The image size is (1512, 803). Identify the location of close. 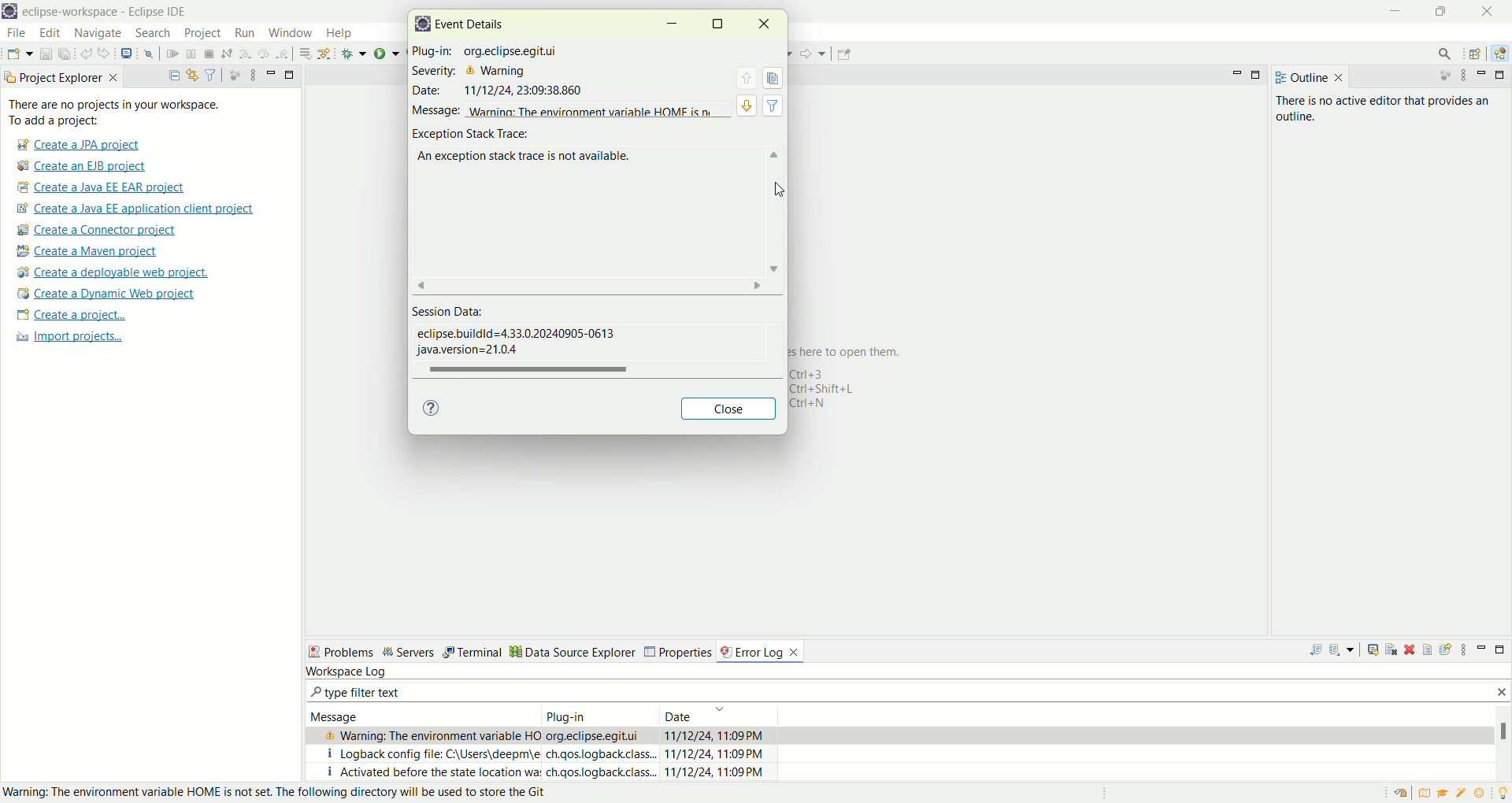
(1492, 12).